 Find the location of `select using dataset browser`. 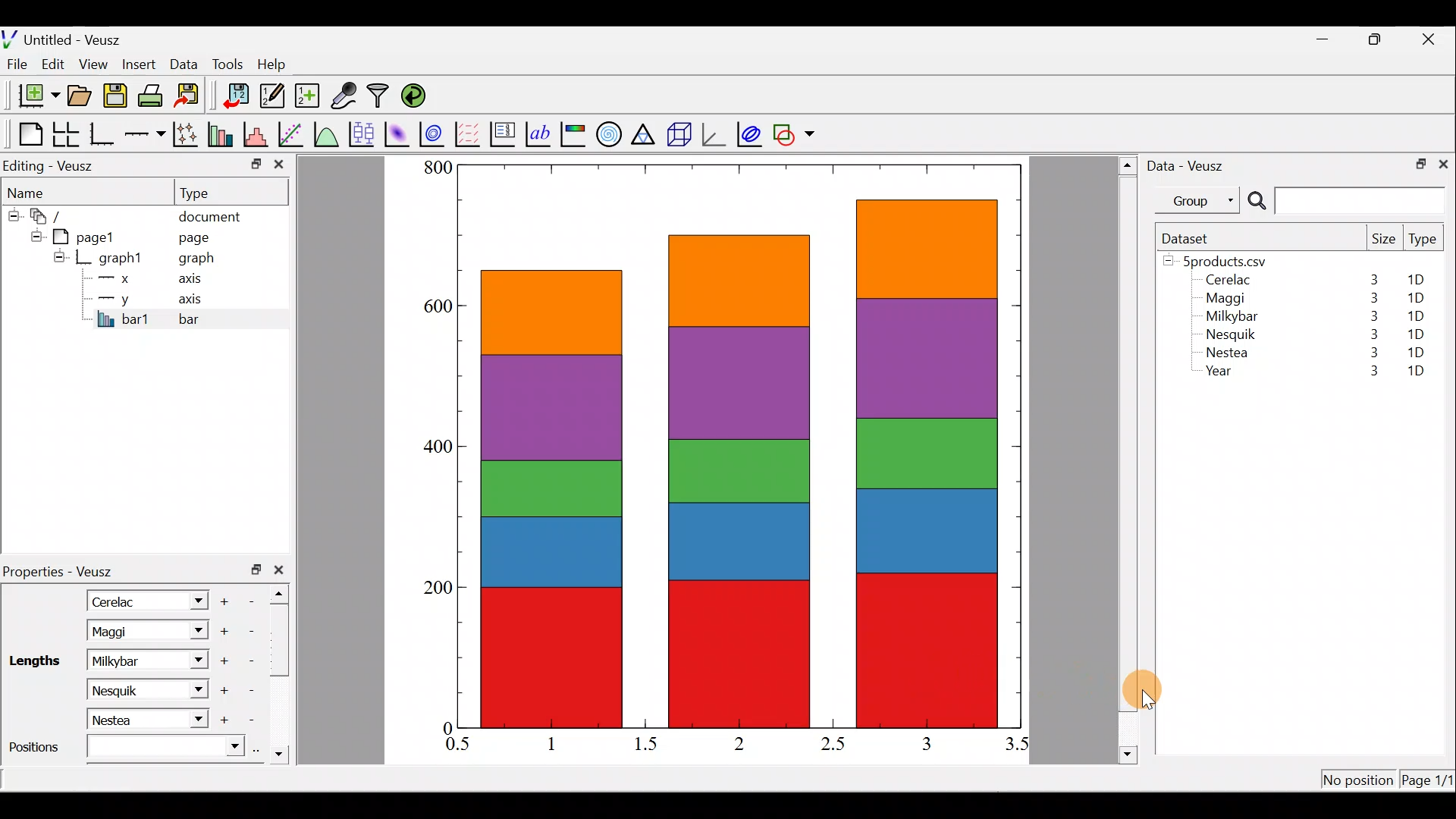

select using dataset browser is located at coordinates (260, 749).